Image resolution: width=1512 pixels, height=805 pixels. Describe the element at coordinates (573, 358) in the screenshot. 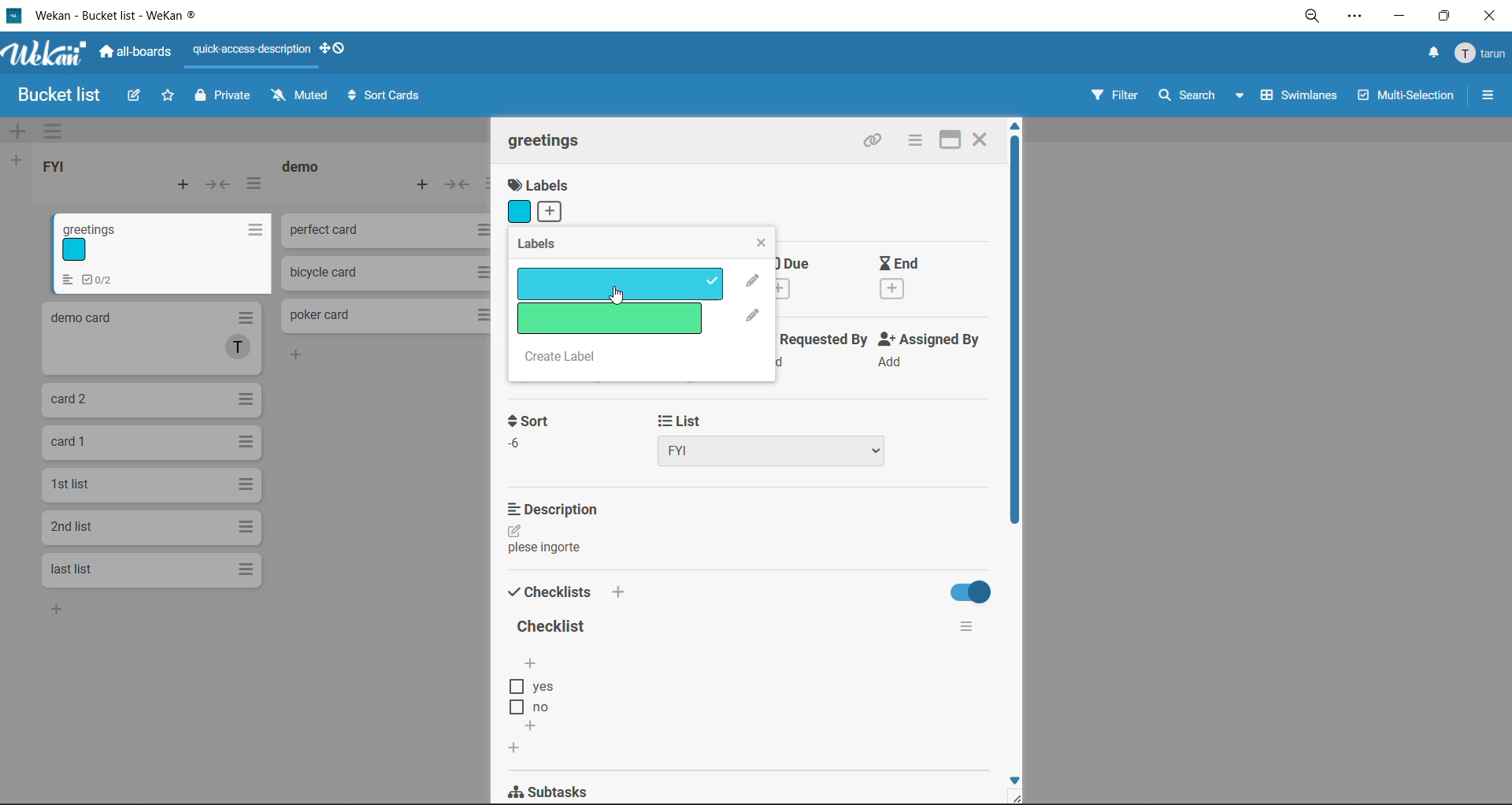

I see `create label` at that location.